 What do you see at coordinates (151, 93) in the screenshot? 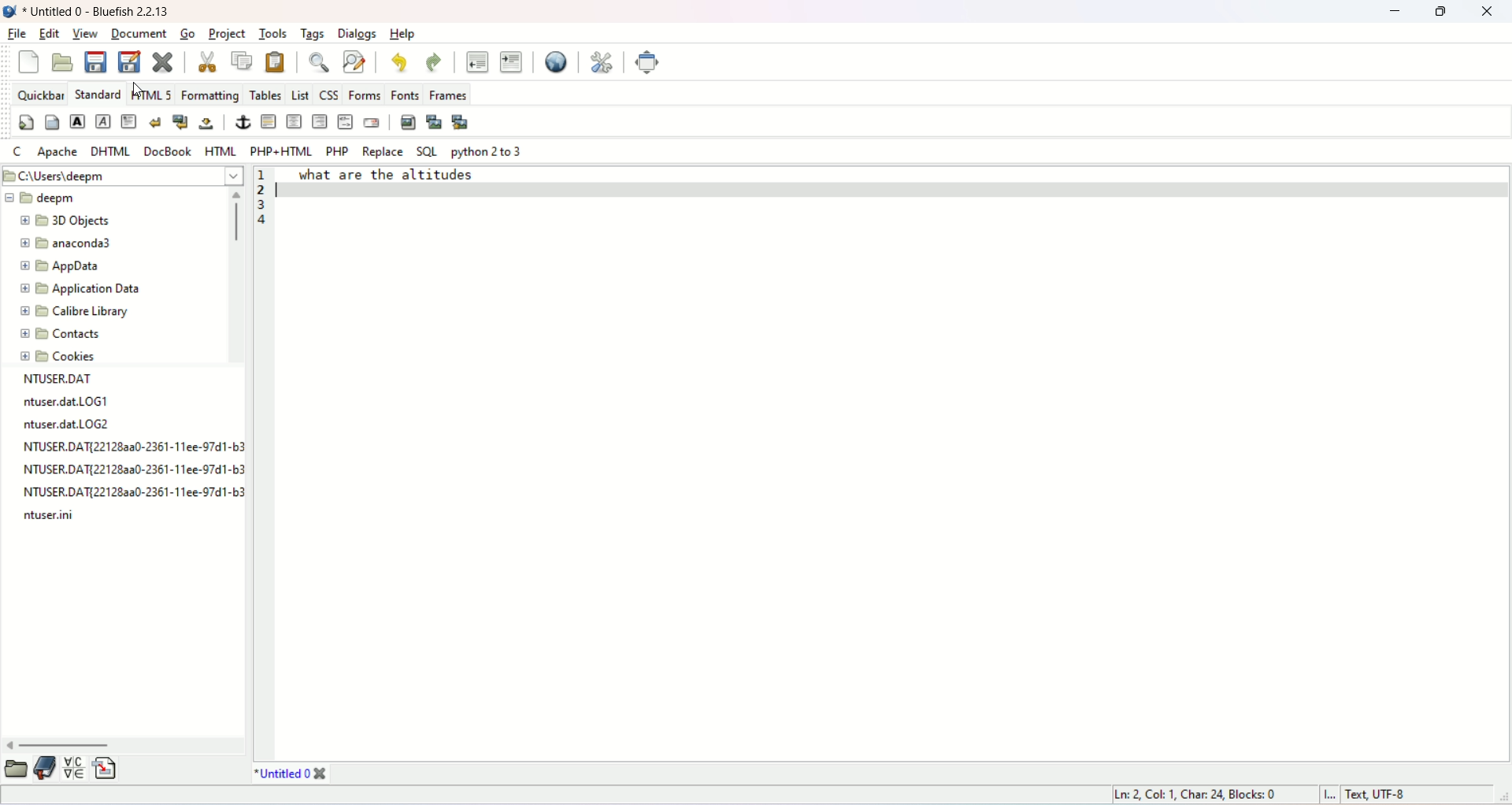
I see `HTML 5` at bounding box center [151, 93].